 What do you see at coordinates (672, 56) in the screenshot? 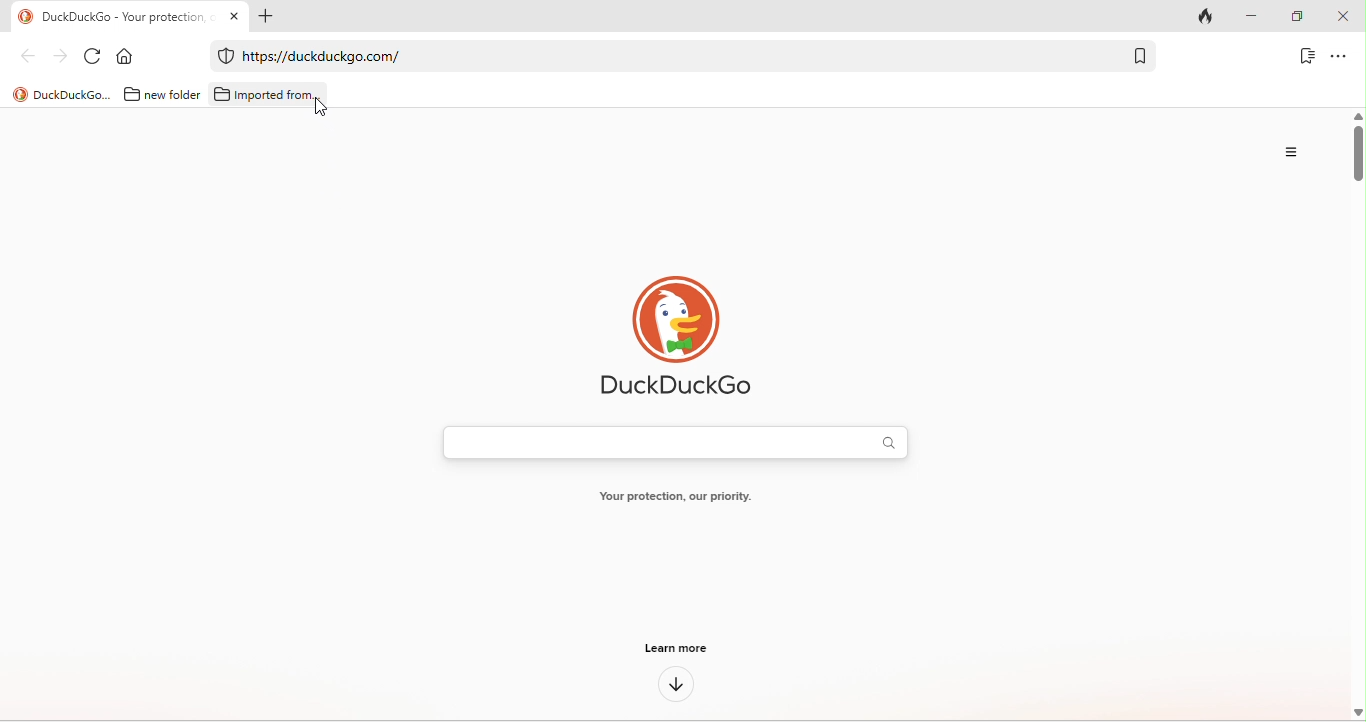
I see `web link` at bounding box center [672, 56].